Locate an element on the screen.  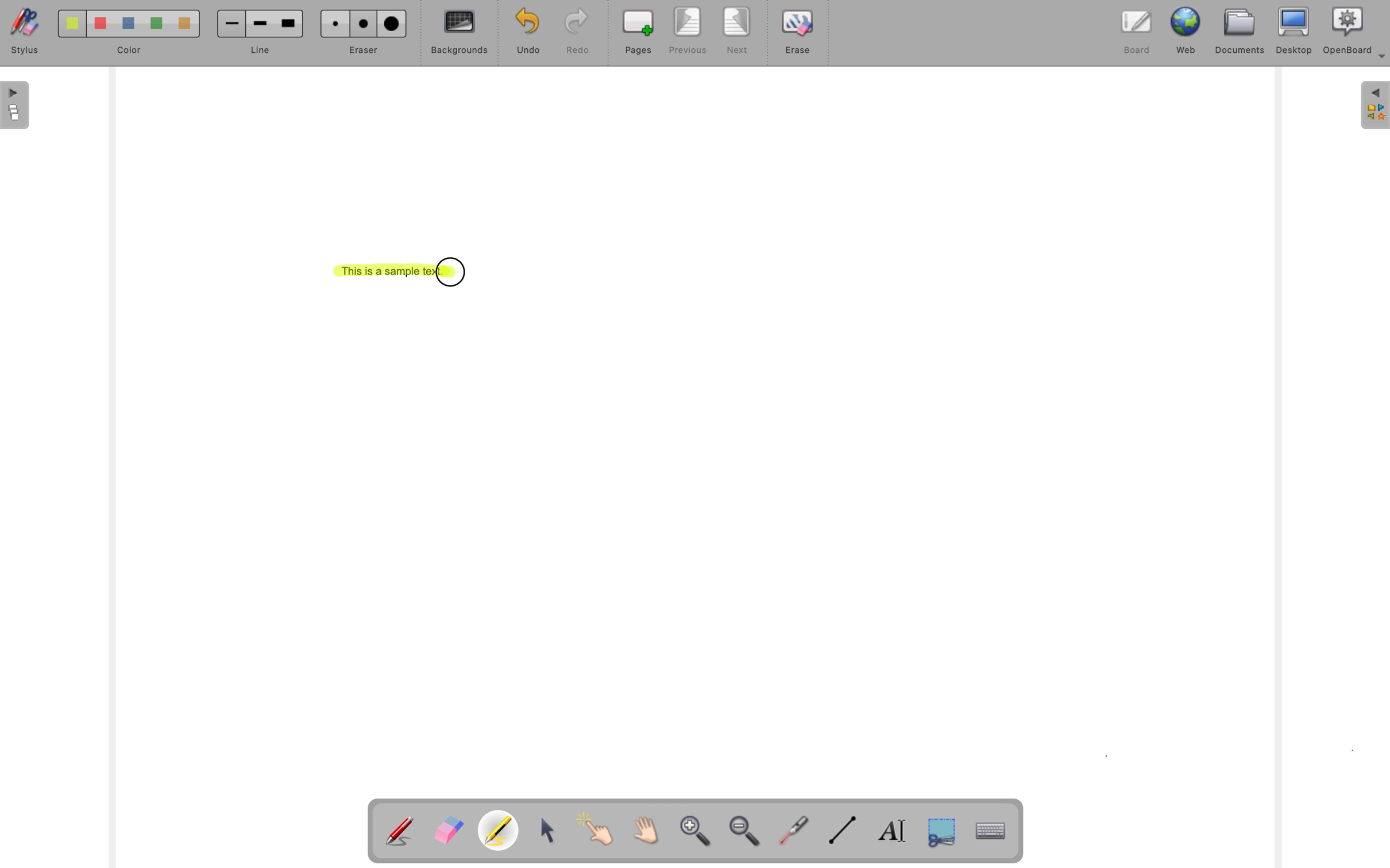
The library (right panel) is located at coordinates (1375, 106).